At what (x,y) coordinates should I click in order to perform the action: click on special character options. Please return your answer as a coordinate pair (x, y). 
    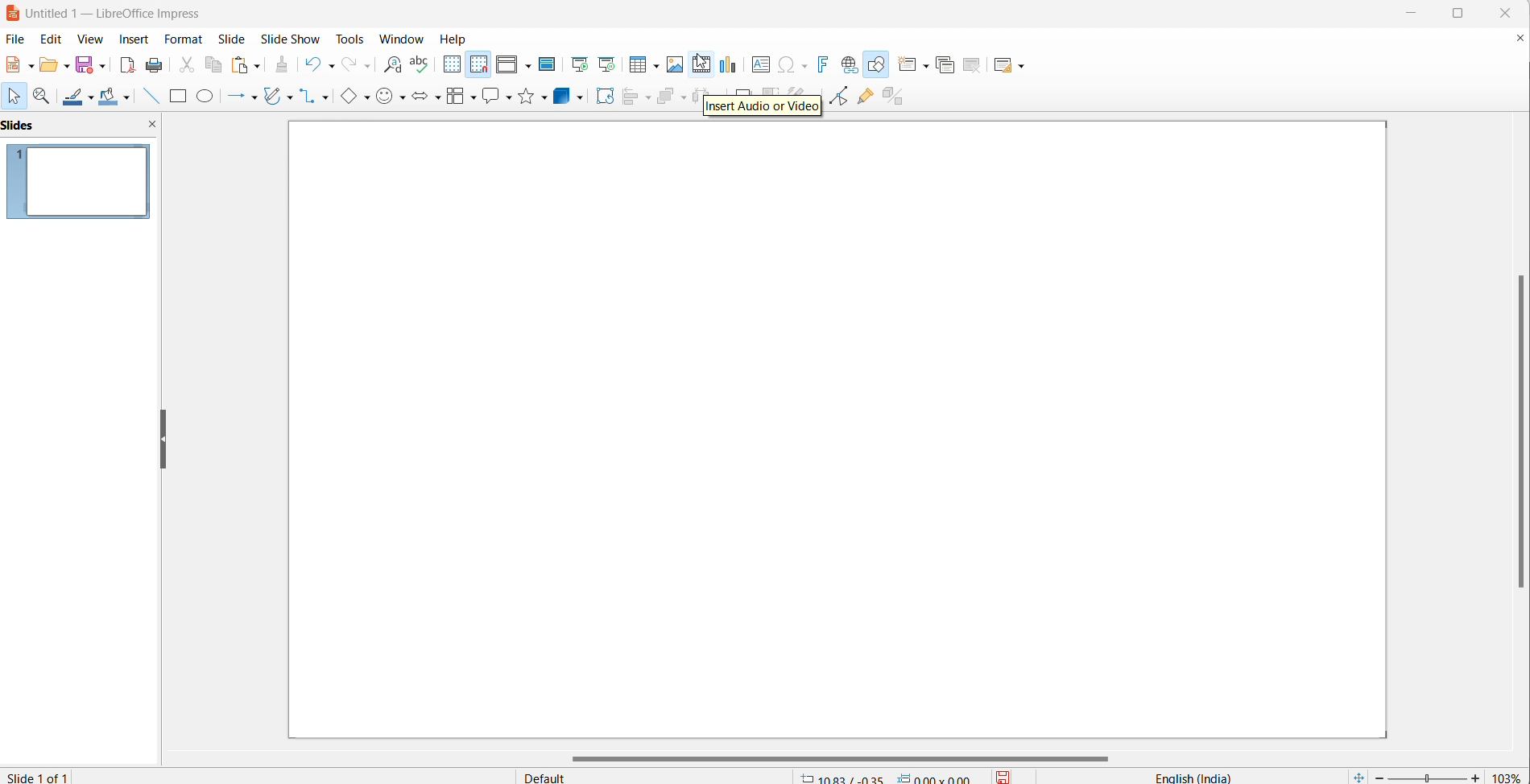
    Looking at the image, I should click on (806, 65).